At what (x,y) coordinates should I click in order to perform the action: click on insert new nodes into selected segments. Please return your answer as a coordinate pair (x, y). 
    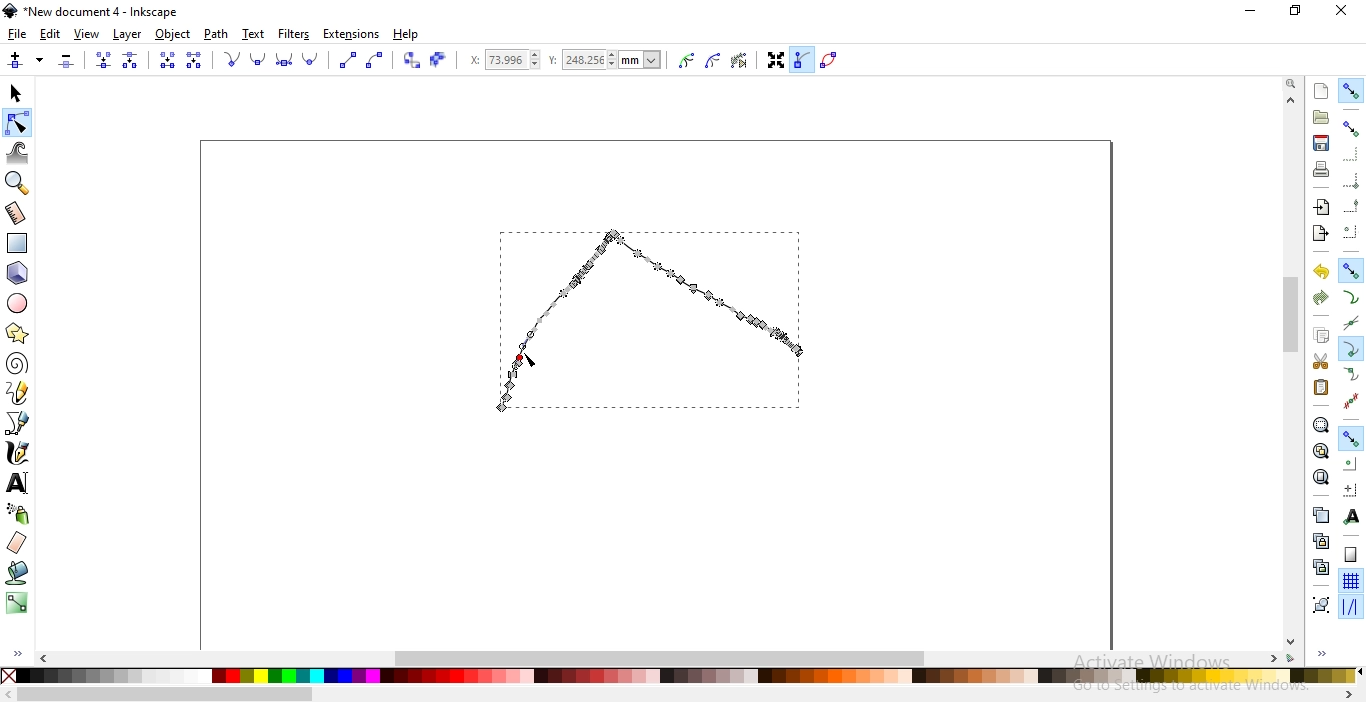
    Looking at the image, I should click on (40, 60).